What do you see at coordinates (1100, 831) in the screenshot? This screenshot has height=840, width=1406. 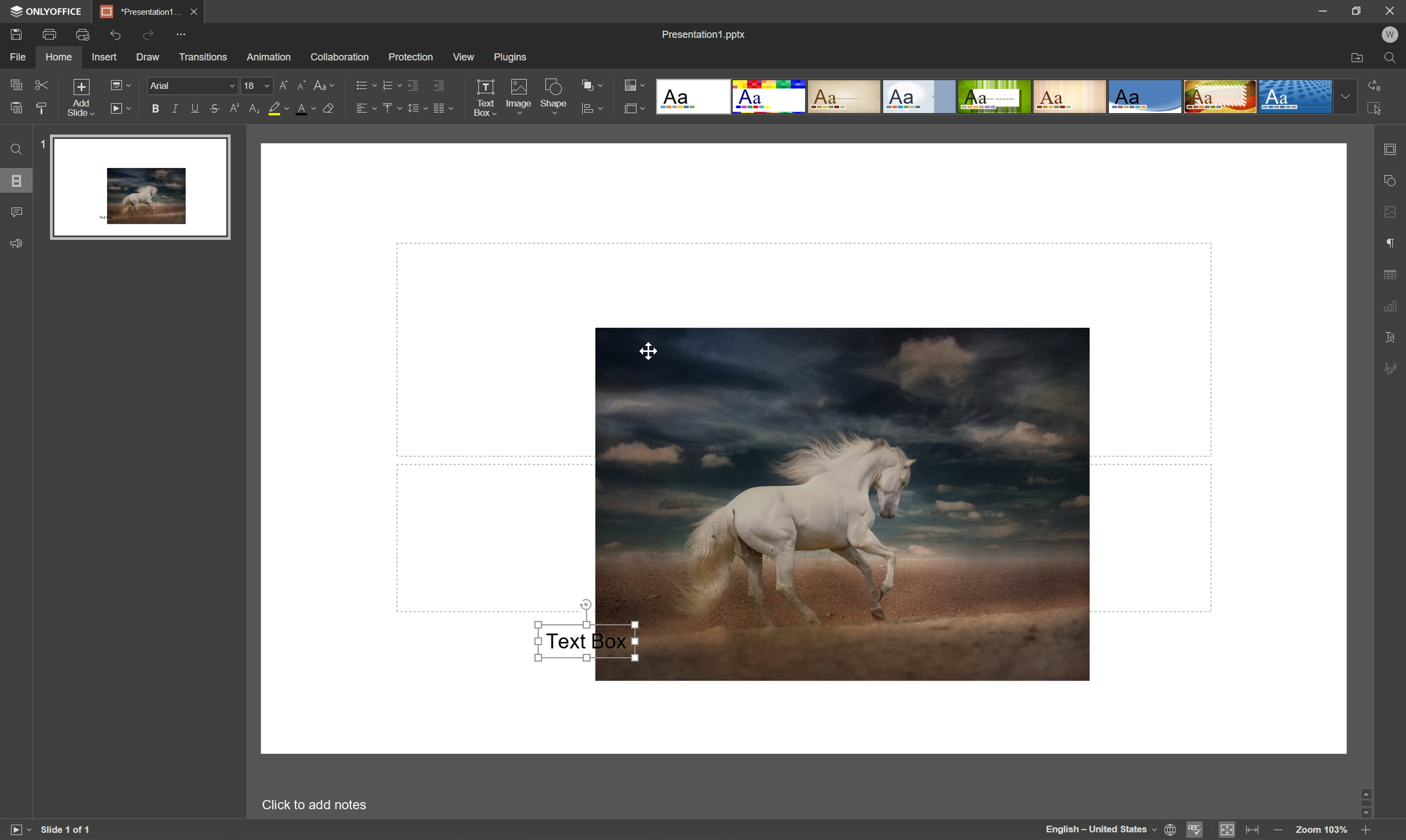 I see `English - United States` at bounding box center [1100, 831].